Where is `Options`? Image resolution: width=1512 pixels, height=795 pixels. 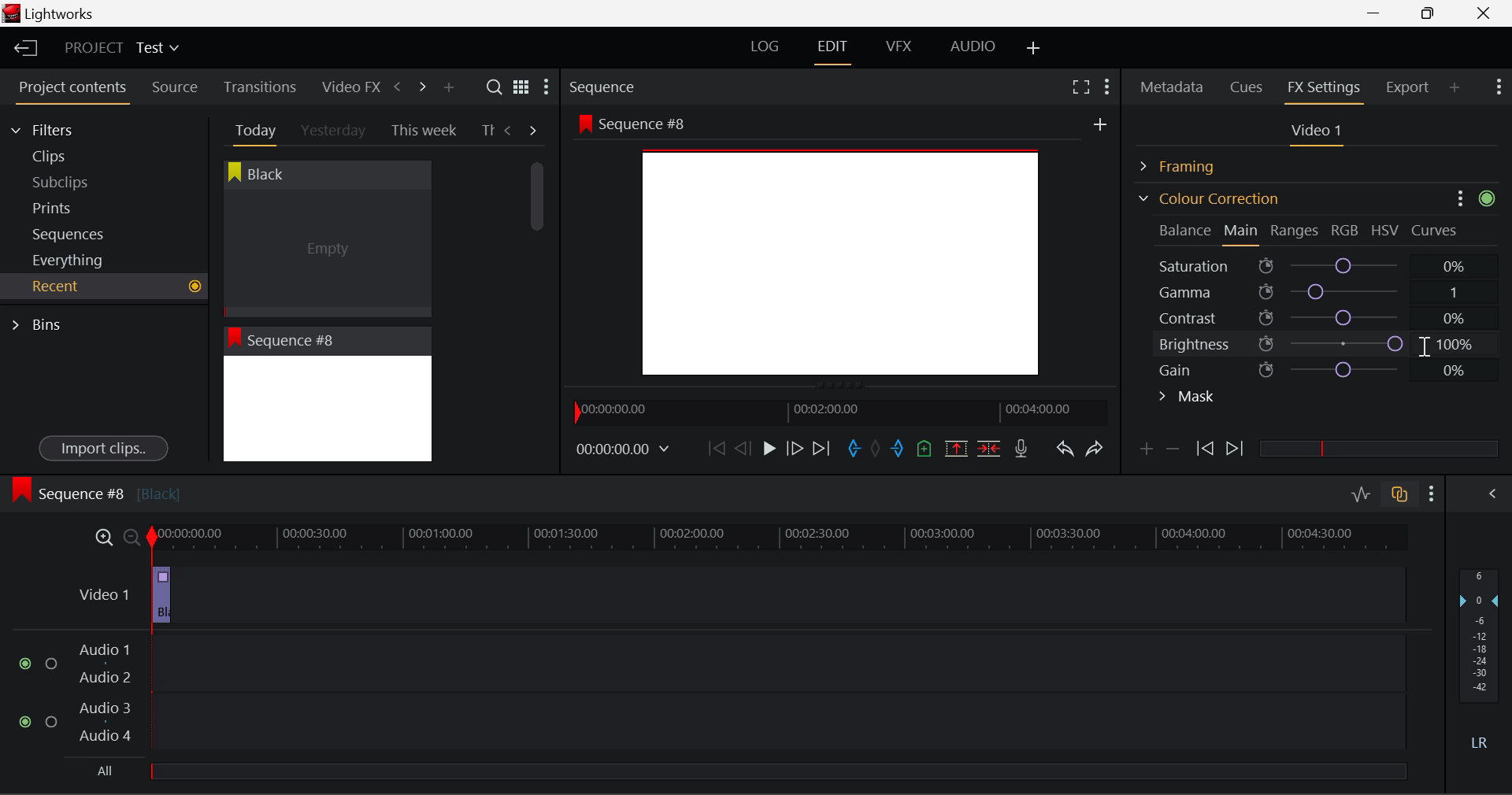
Options is located at coordinates (1458, 198).